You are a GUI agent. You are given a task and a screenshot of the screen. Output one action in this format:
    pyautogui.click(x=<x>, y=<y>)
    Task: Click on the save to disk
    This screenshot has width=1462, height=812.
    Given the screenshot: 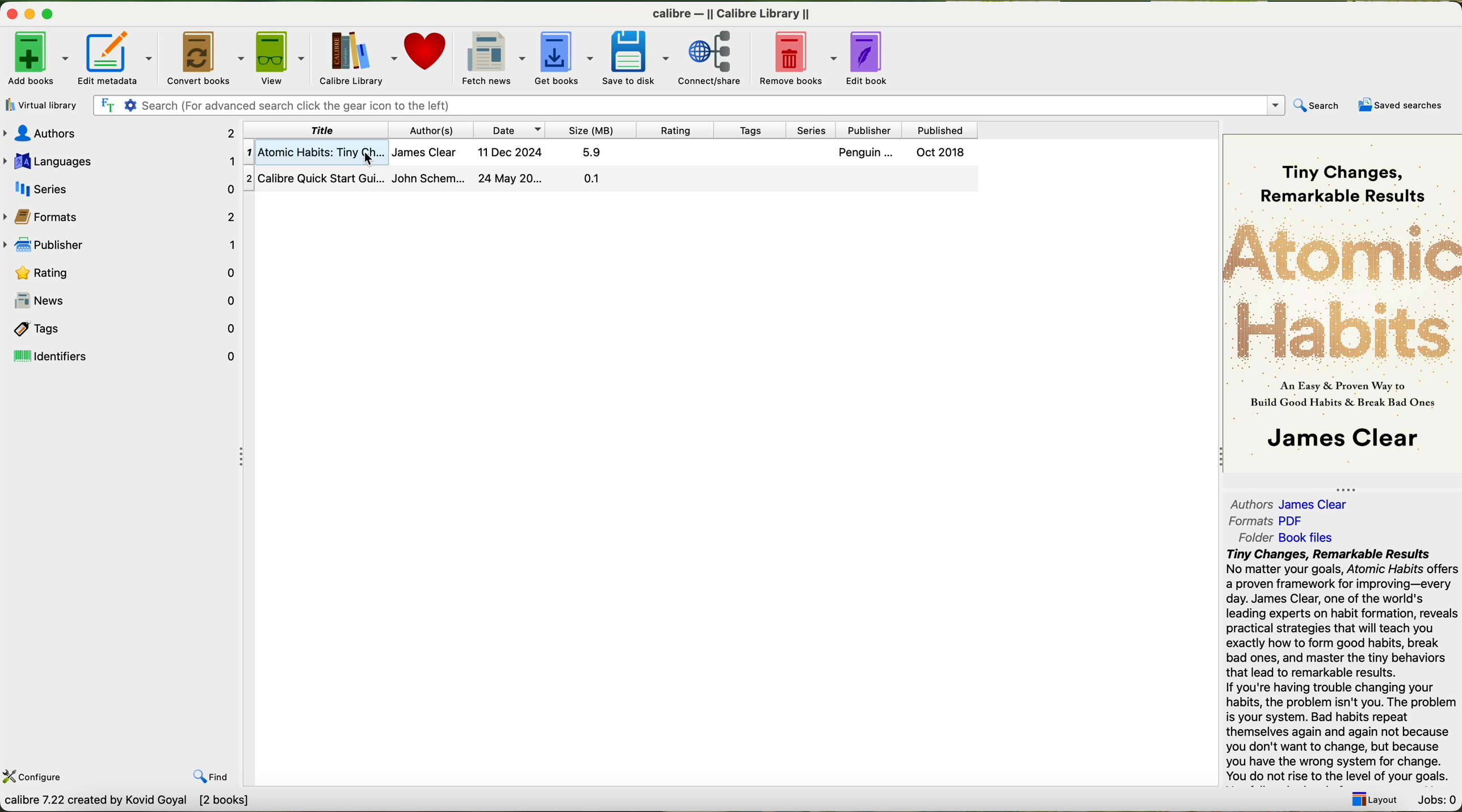 What is the action you would take?
    pyautogui.click(x=635, y=57)
    